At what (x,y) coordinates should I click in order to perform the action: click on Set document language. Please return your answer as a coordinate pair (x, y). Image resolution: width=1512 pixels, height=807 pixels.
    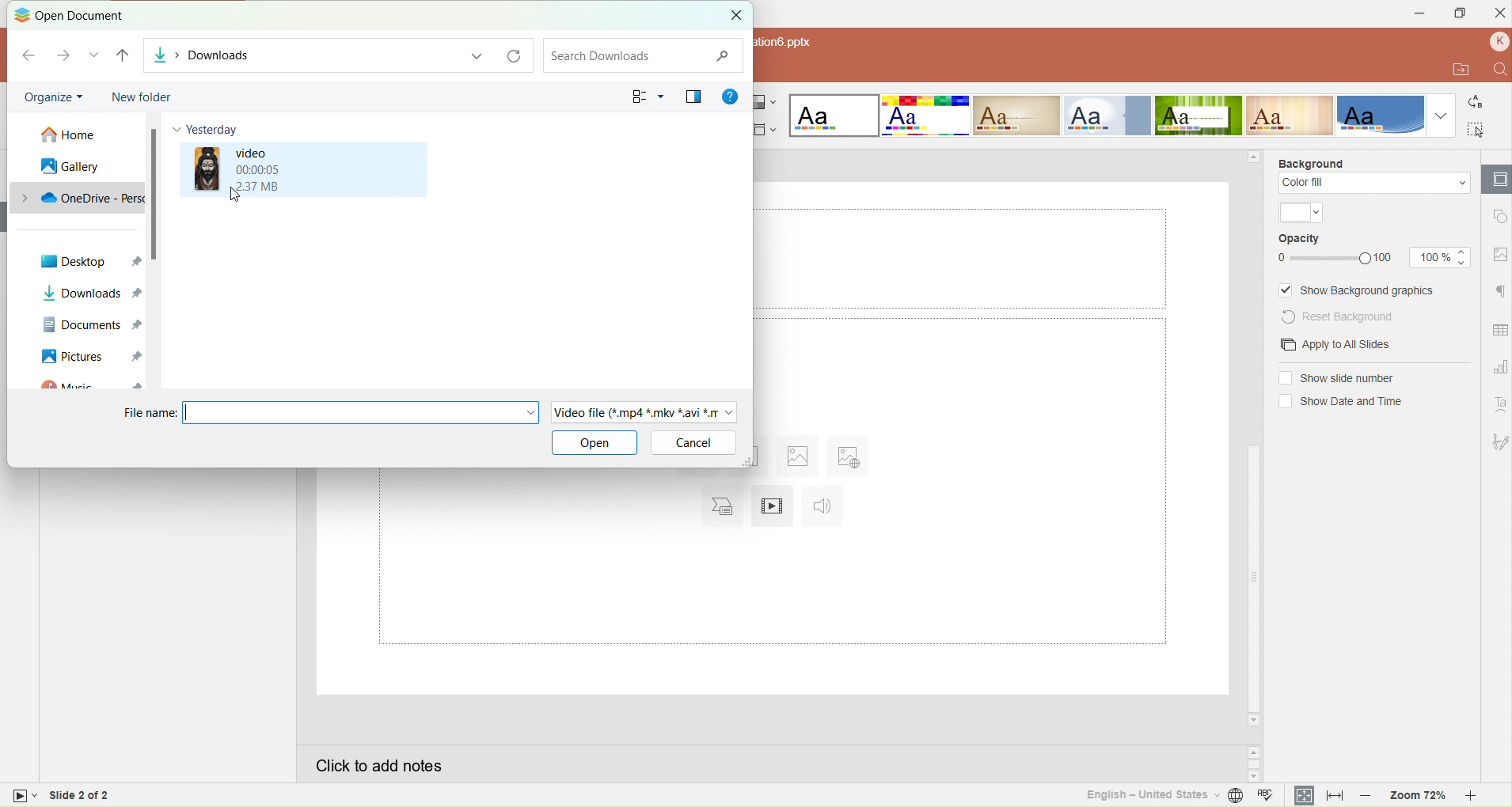
    Looking at the image, I should click on (1236, 796).